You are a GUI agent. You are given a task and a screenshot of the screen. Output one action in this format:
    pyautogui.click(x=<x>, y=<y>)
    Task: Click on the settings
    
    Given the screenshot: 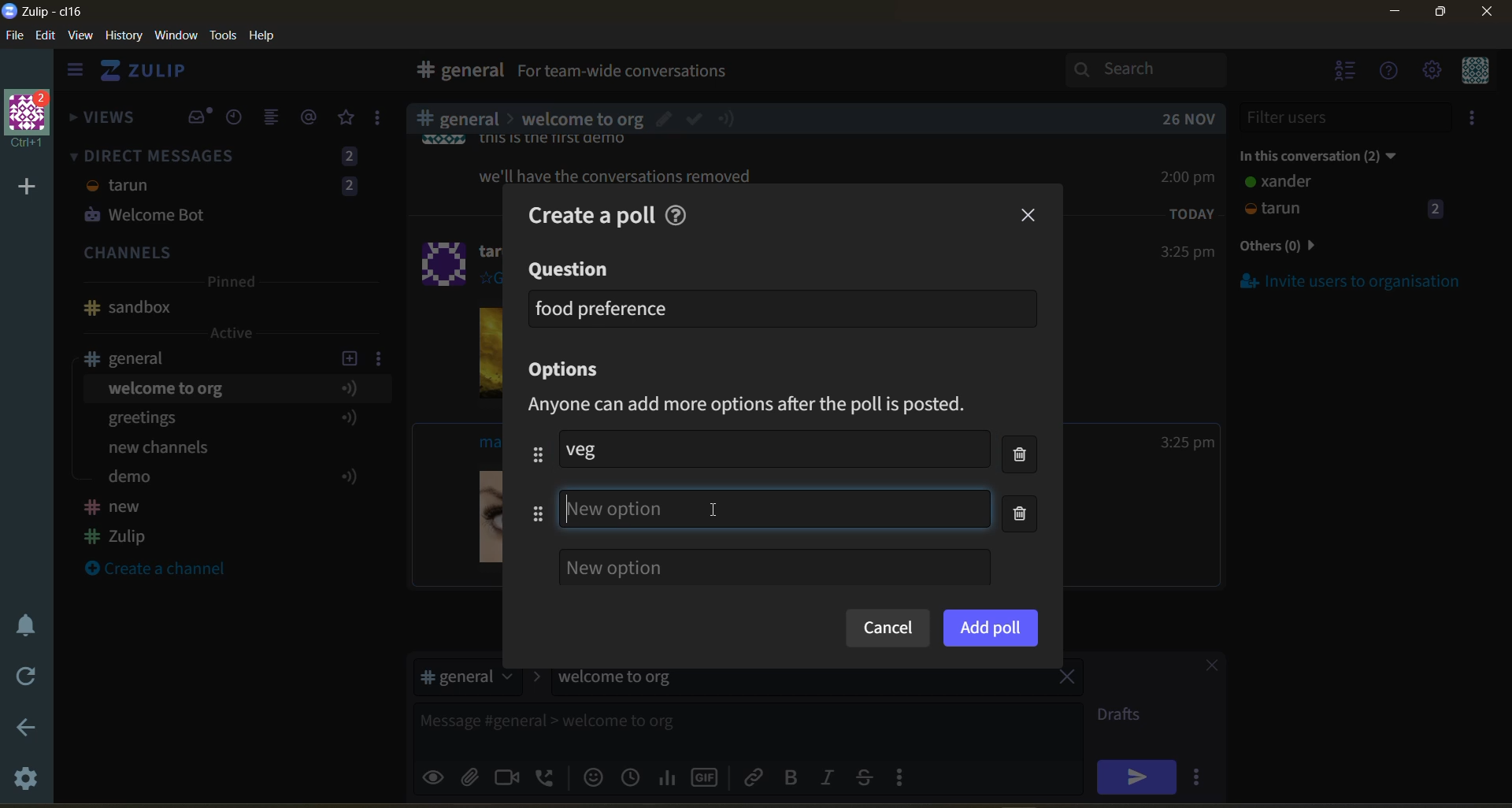 What is the action you would take?
    pyautogui.click(x=28, y=781)
    